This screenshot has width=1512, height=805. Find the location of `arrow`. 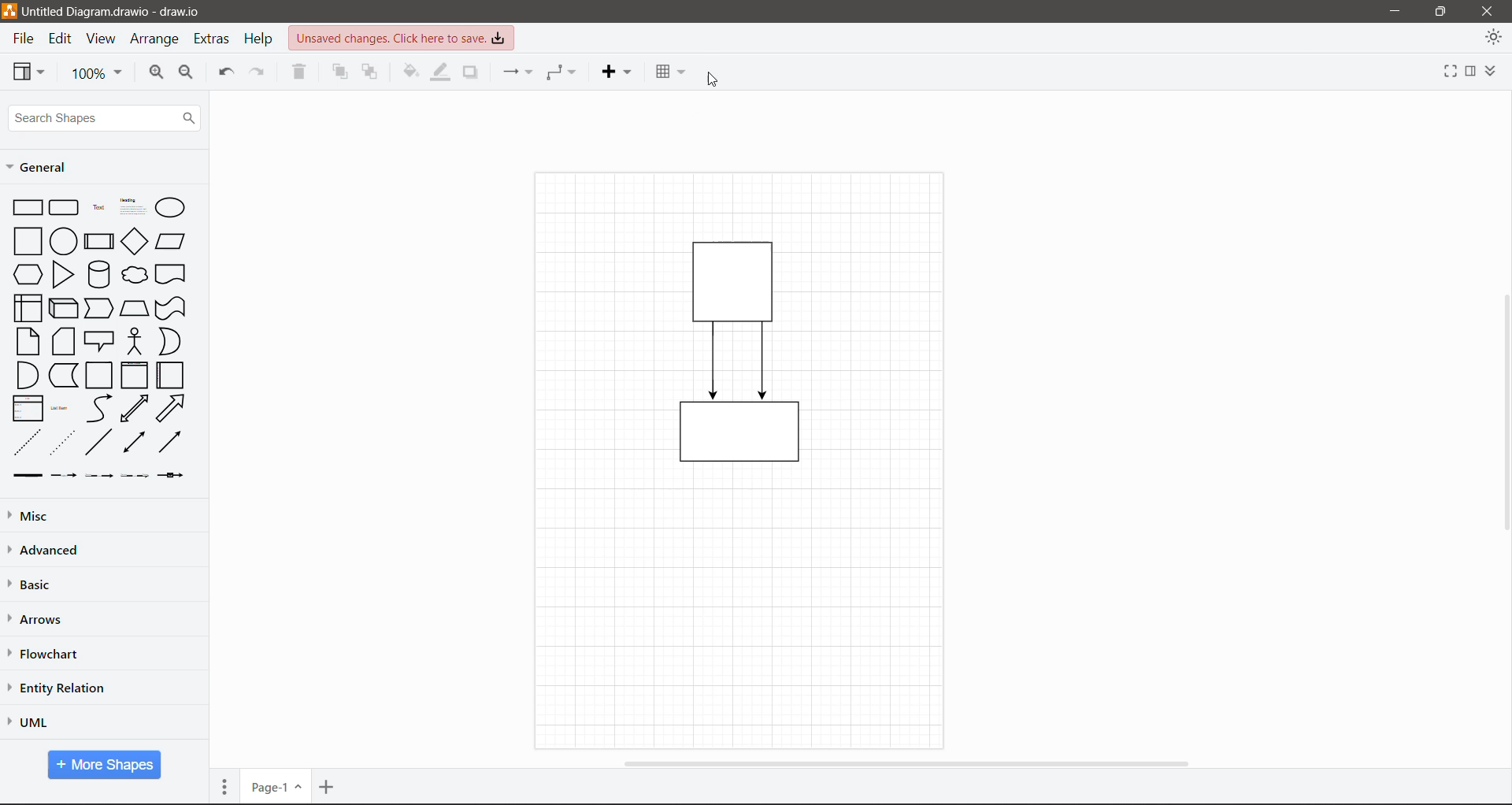

arrow is located at coordinates (172, 408).